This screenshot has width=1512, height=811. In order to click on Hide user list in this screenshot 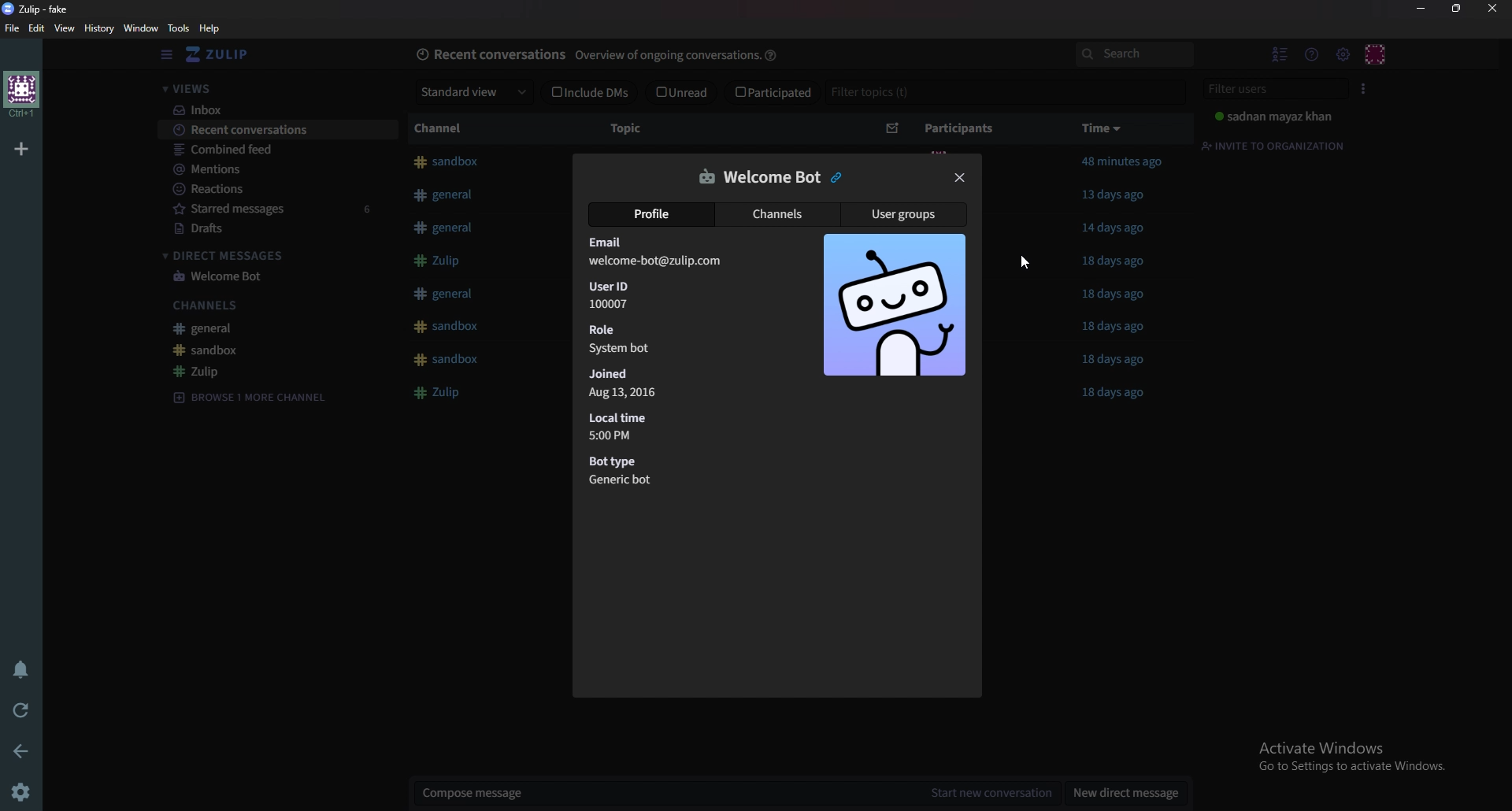, I will do `click(1280, 54)`.